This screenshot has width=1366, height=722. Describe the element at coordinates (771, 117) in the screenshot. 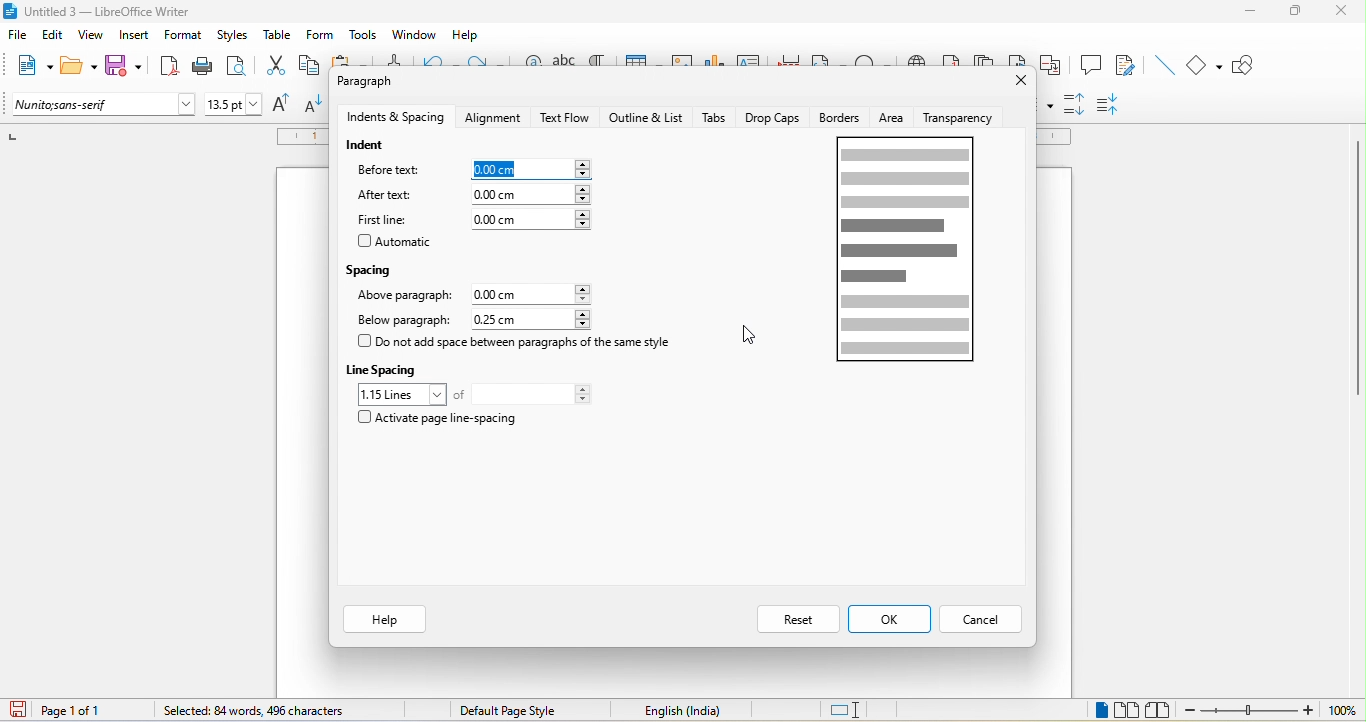

I see `drop caps` at that location.